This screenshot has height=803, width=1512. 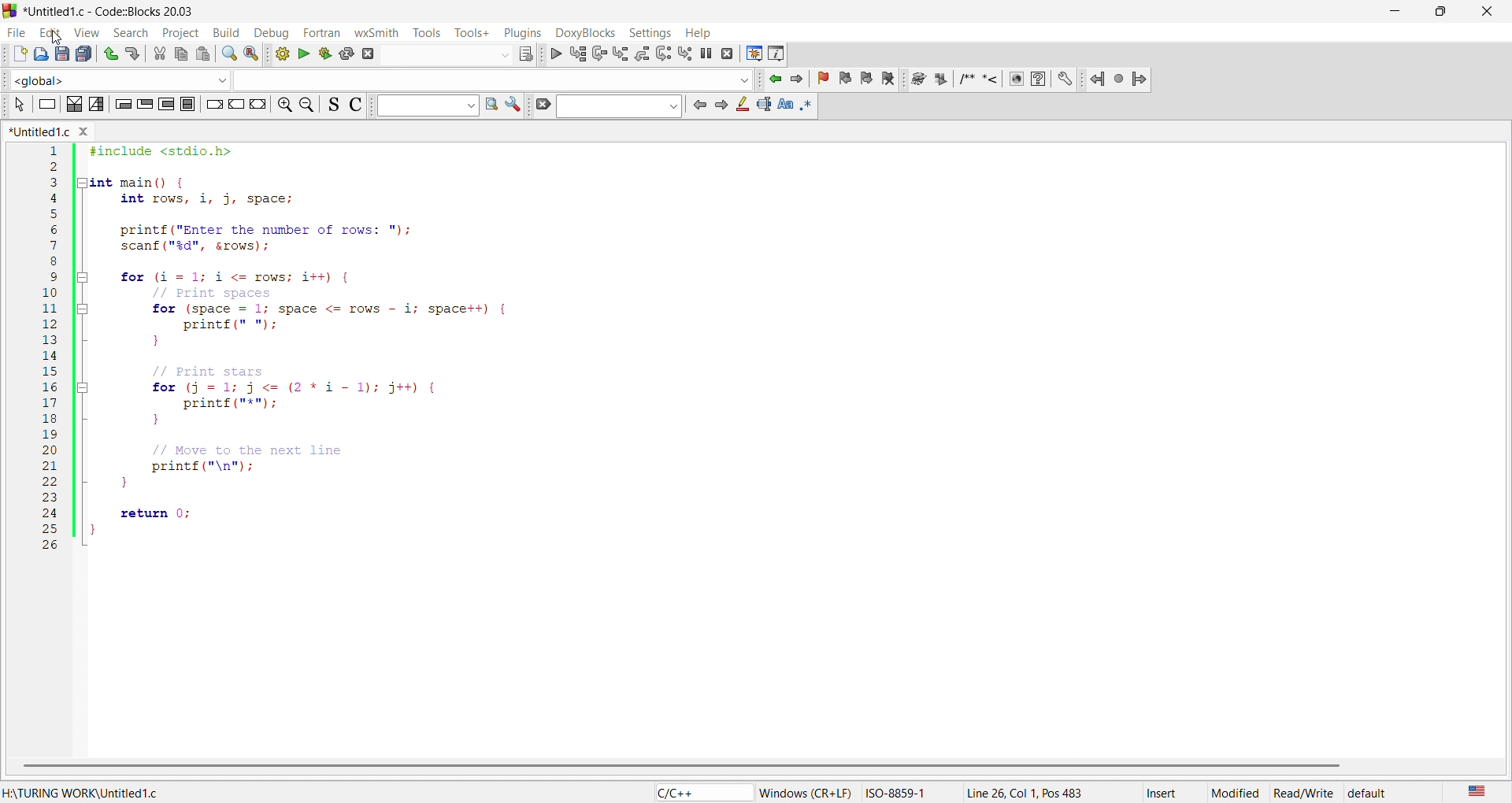 What do you see at coordinates (1483, 791) in the screenshot?
I see `US english` at bounding box center [1483, 791].